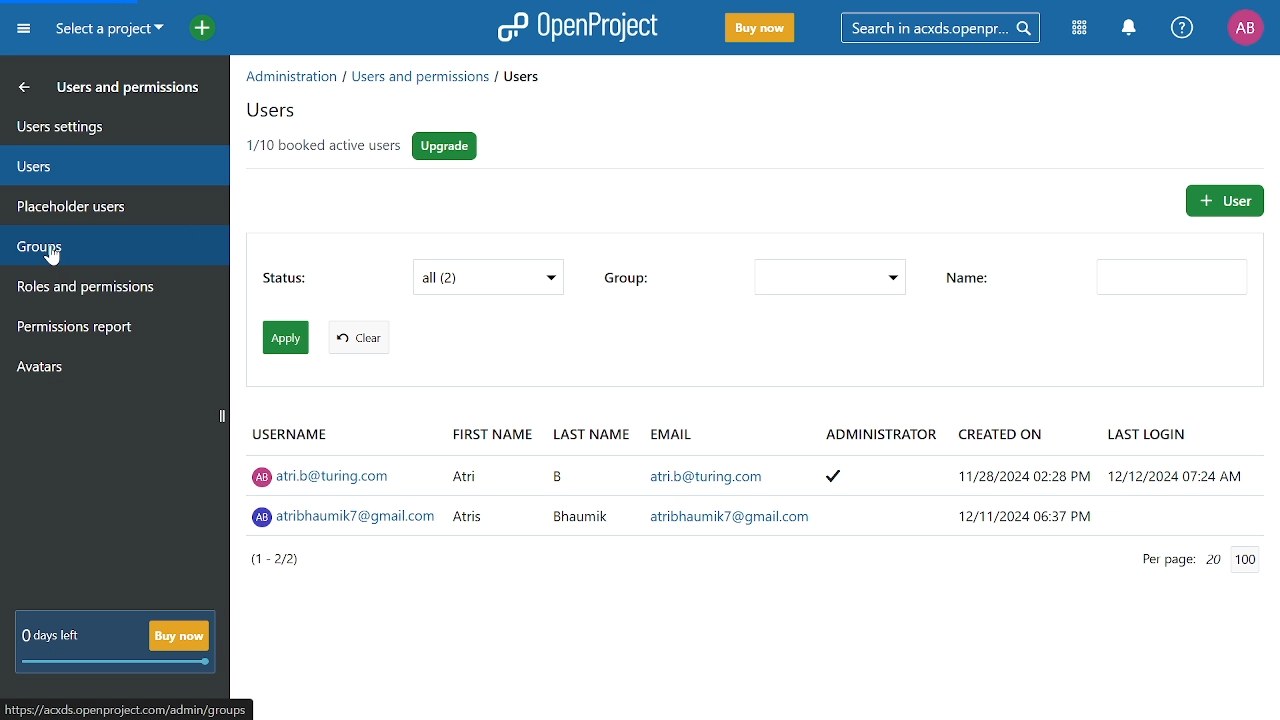  What do you see at coordinates (970, 280) in the screenshot?
I see `name` at bounding box center [970, 280].